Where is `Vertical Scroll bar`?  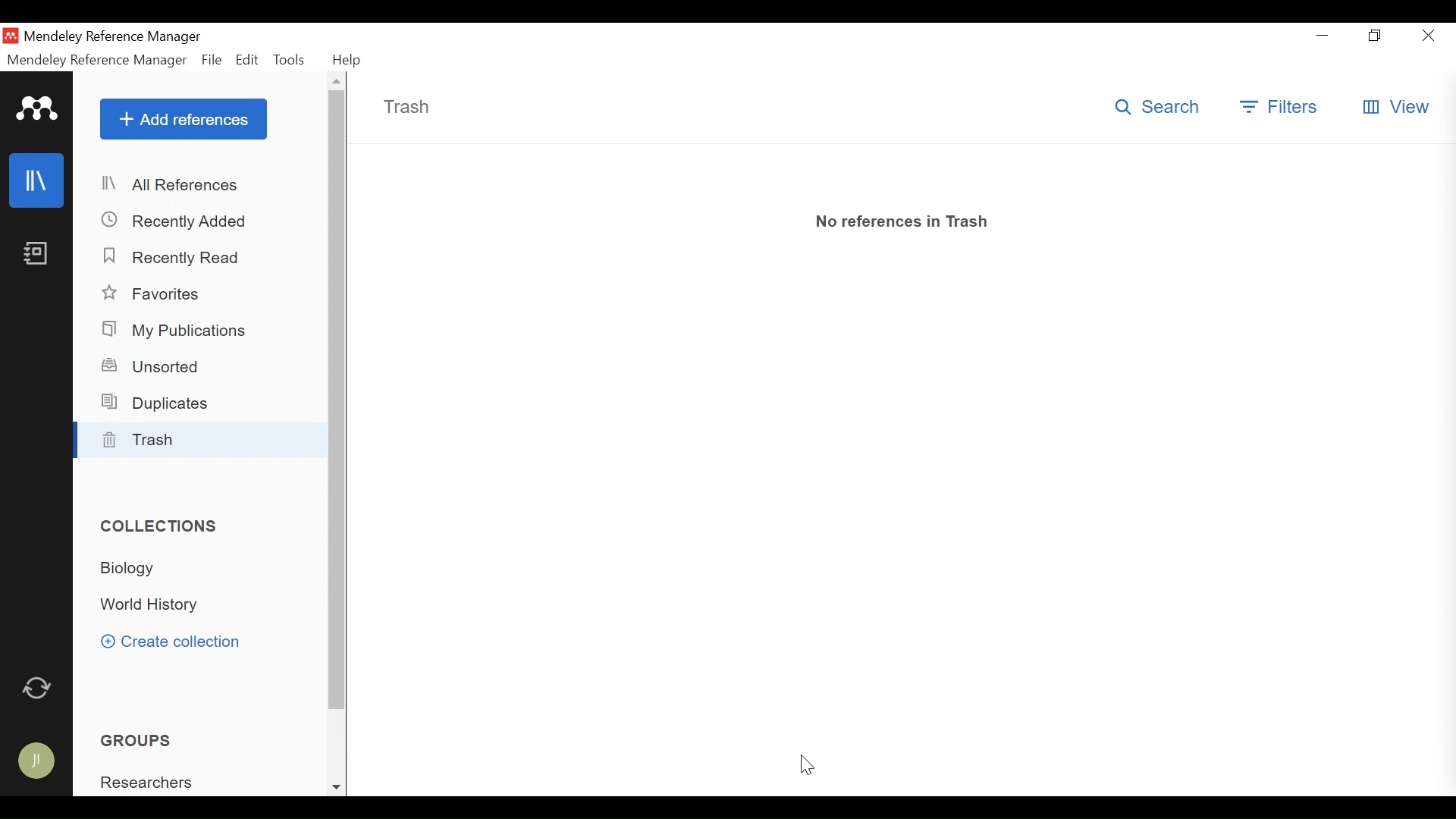 Vertical Scroll bar is located at coordinates (338, 403).